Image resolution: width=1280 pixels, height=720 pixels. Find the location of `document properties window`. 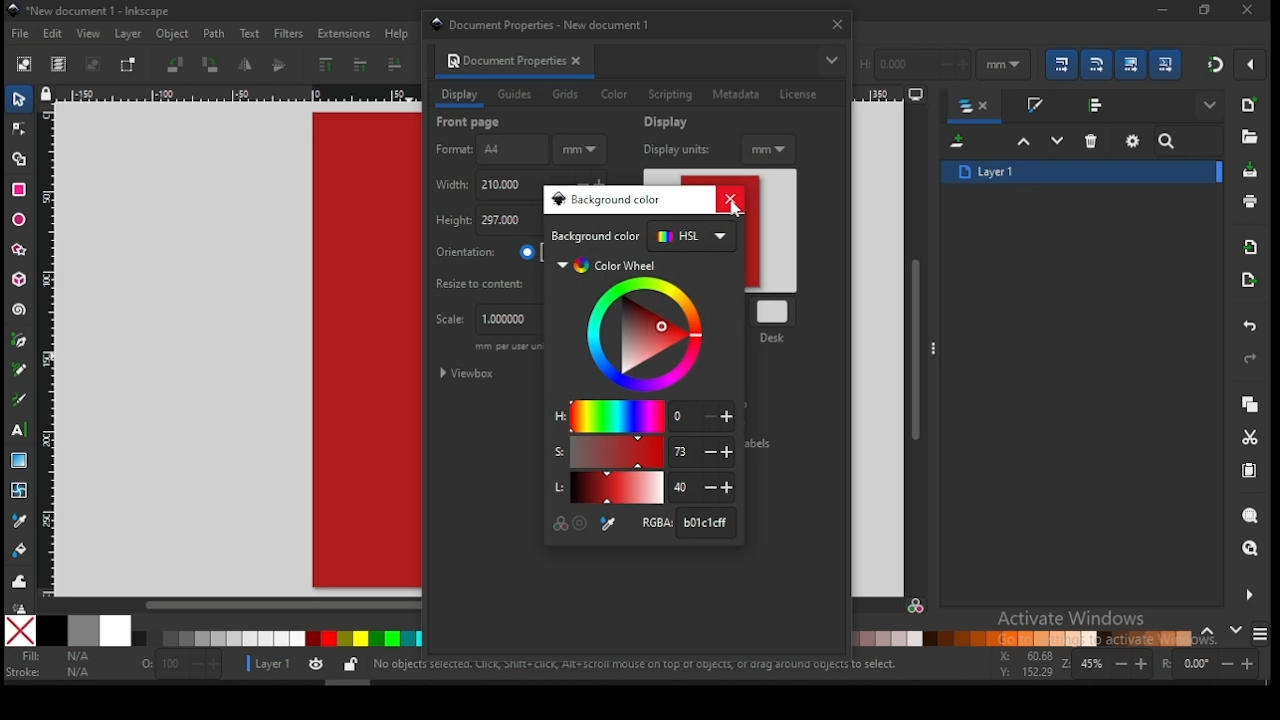

document properties window is located at coordinates (548, 24).